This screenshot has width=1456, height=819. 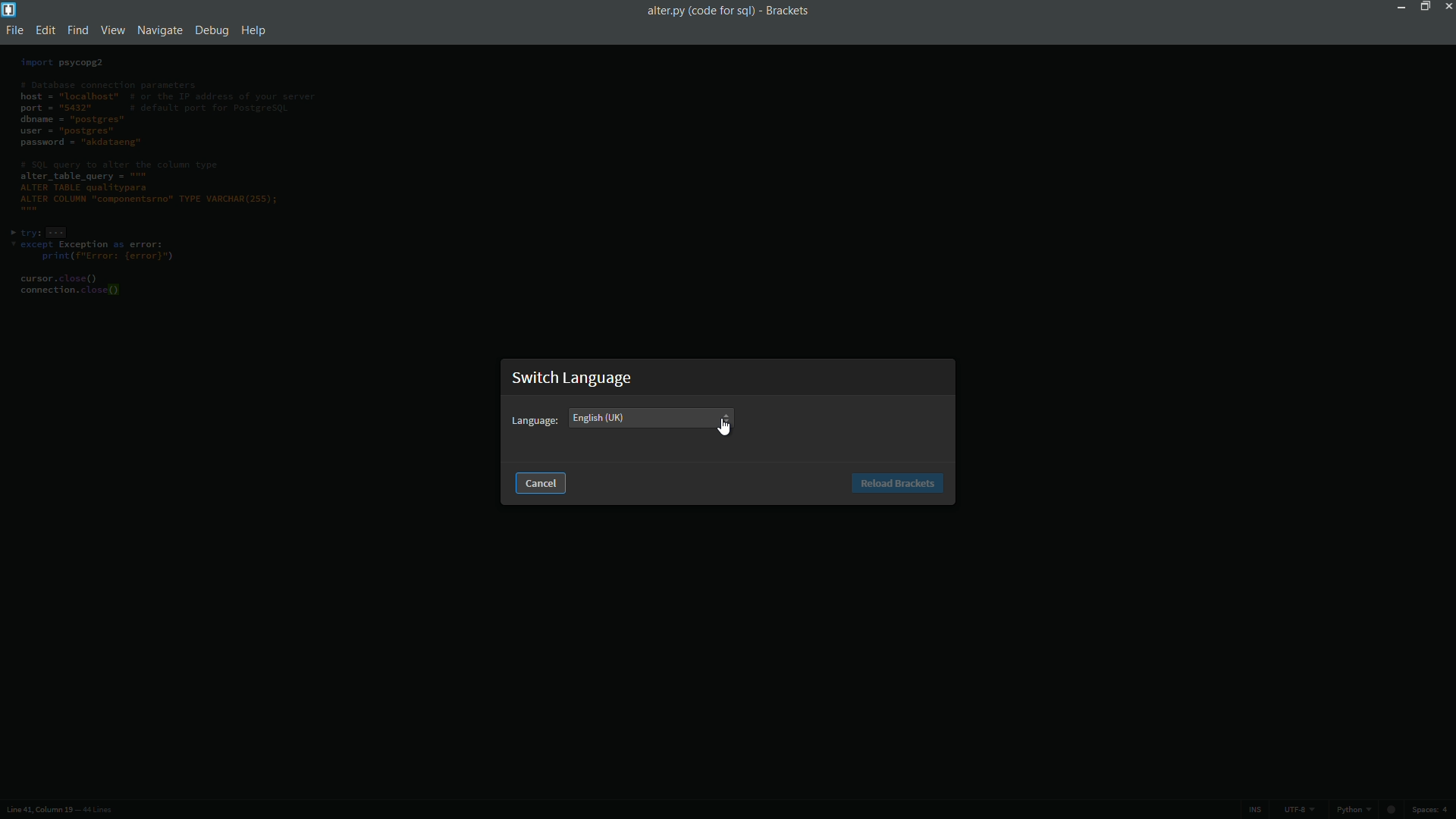 I want to click on code, so click(x=164, y=175).